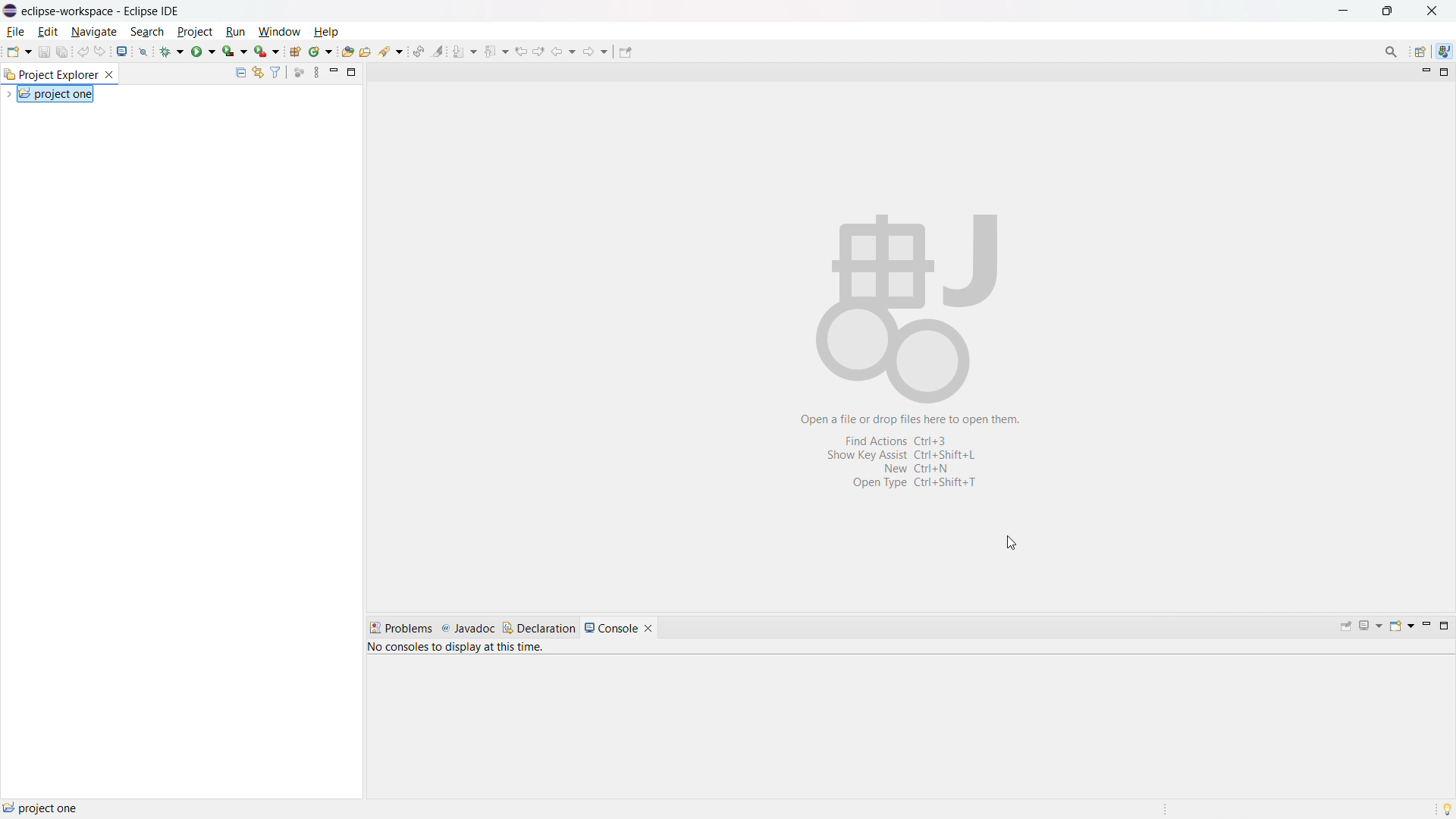 The image size is (1456, 819). Describe the element at coordinates (278, 33) in the screenshot. I see `window` at that location.